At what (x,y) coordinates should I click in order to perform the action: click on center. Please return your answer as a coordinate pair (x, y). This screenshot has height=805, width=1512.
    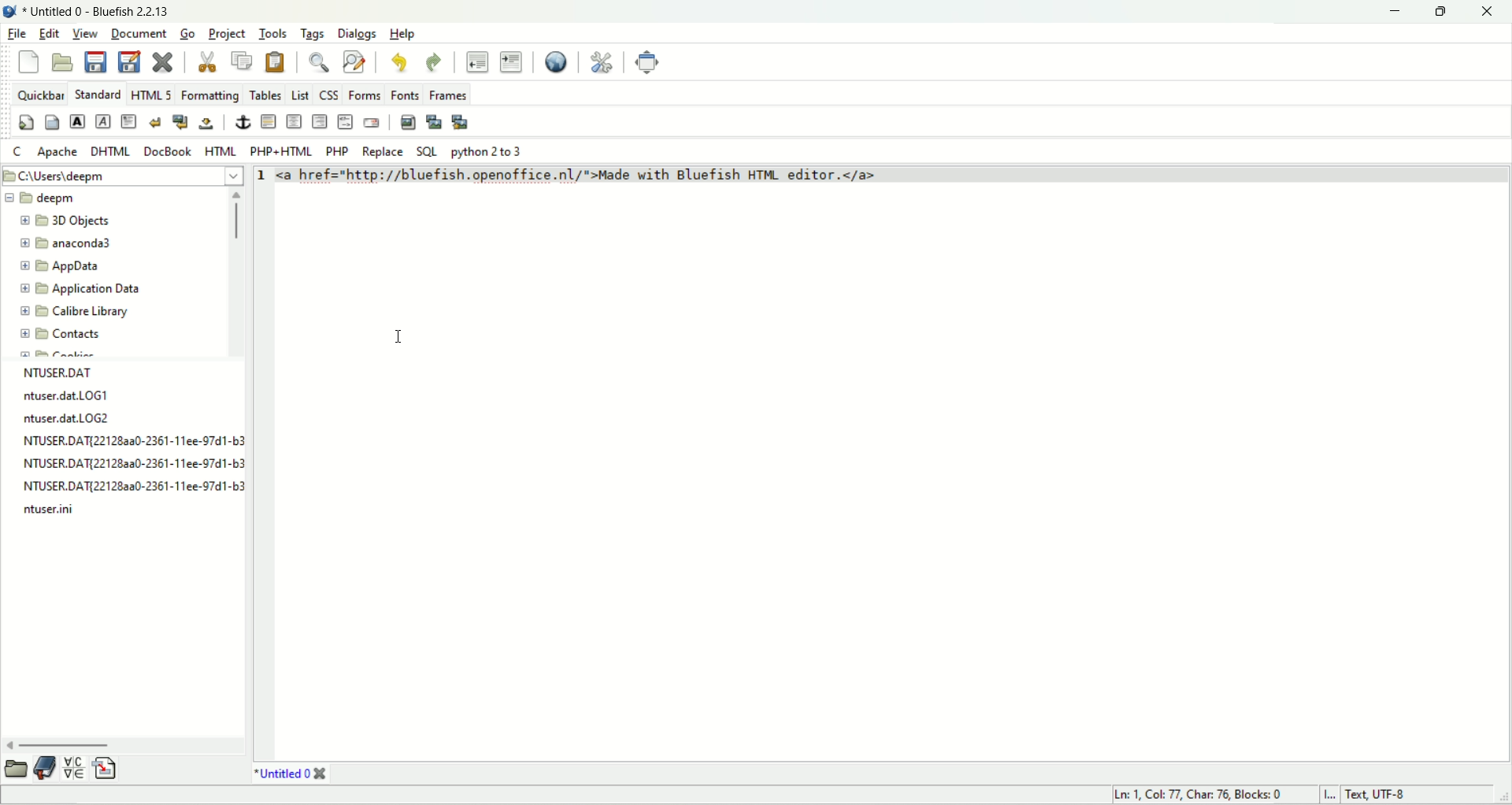
    Looking at the image, I should click on (295, 121).